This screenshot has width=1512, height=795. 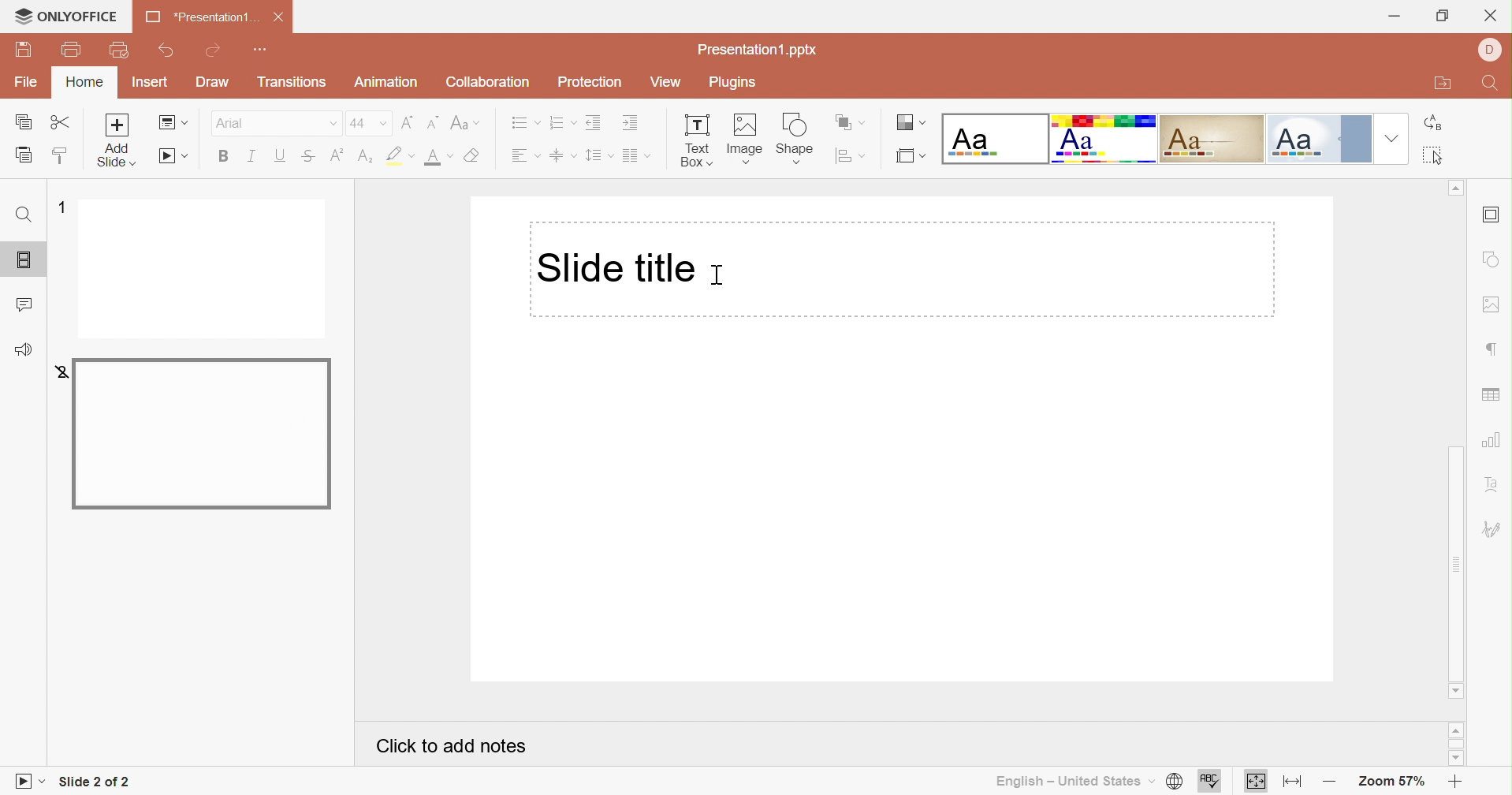 What do you see at coordinates (29, 782) in the screenshot?
I see `Start slideshow` at bounding box center [29, 782].